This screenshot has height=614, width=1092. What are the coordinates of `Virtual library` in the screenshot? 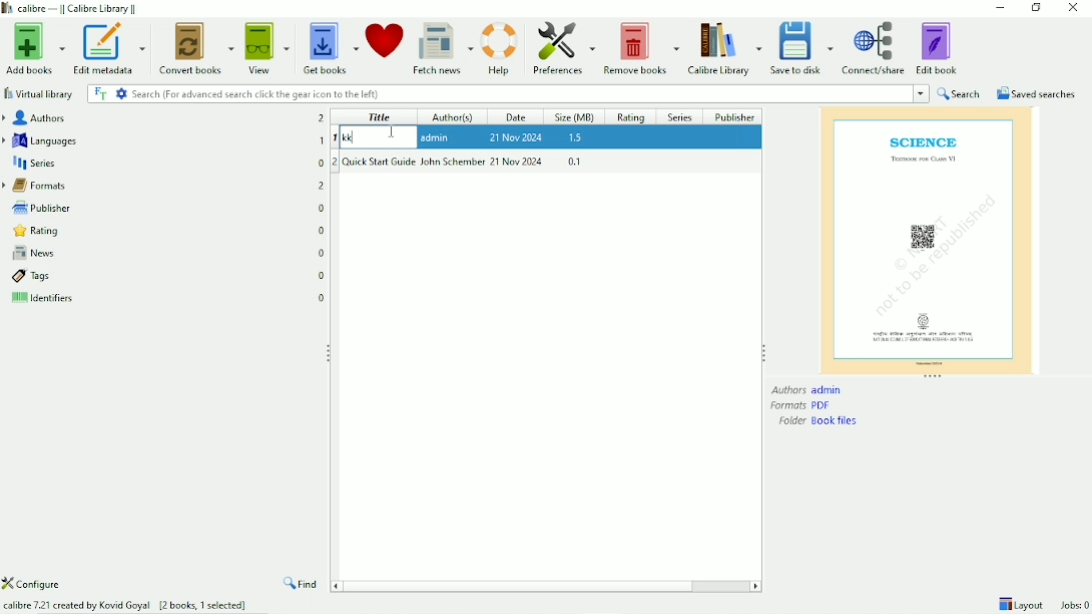 It's located at (39, 93).